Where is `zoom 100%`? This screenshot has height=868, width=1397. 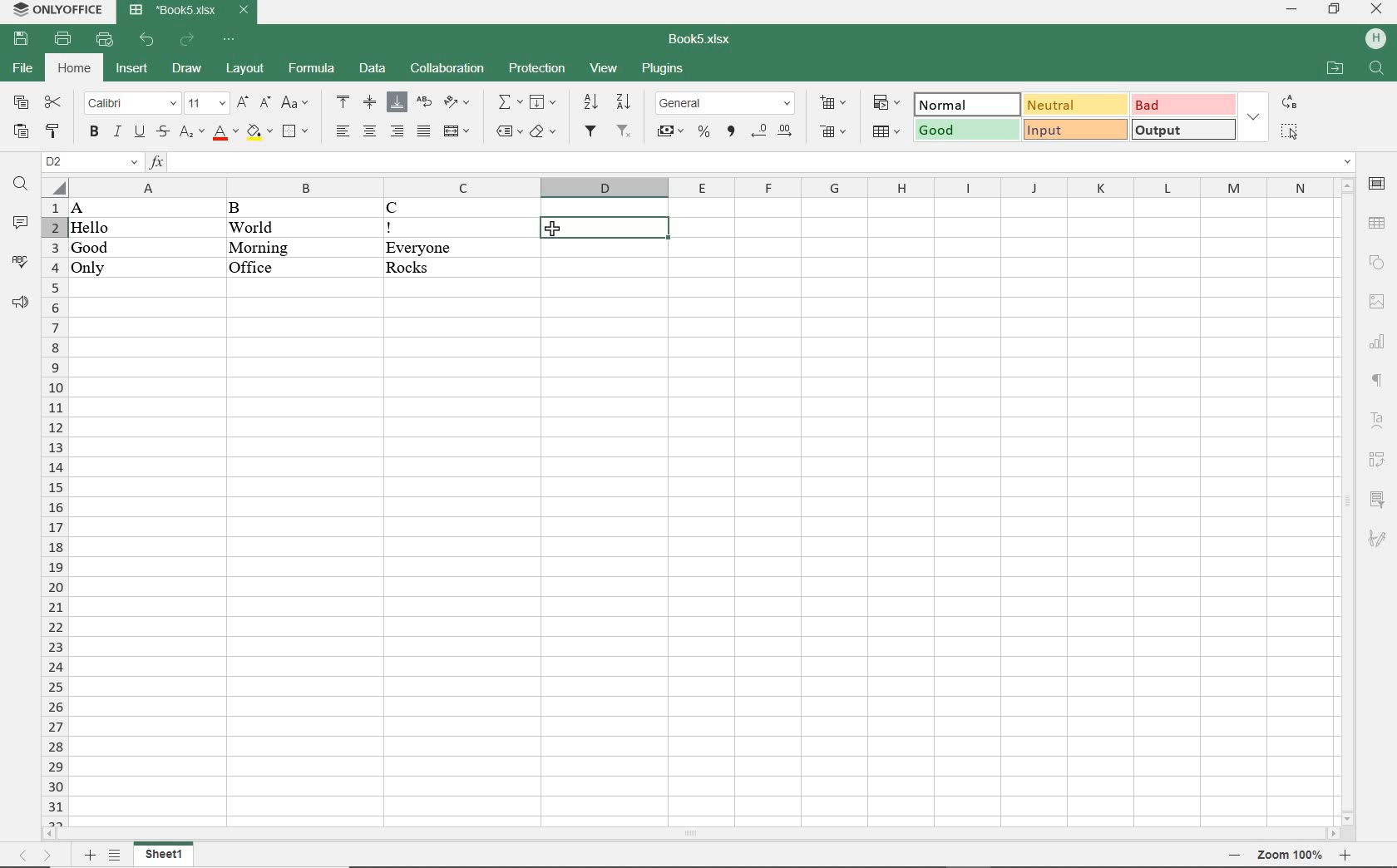 zoom 100% is located at coordinates (1291, 855).